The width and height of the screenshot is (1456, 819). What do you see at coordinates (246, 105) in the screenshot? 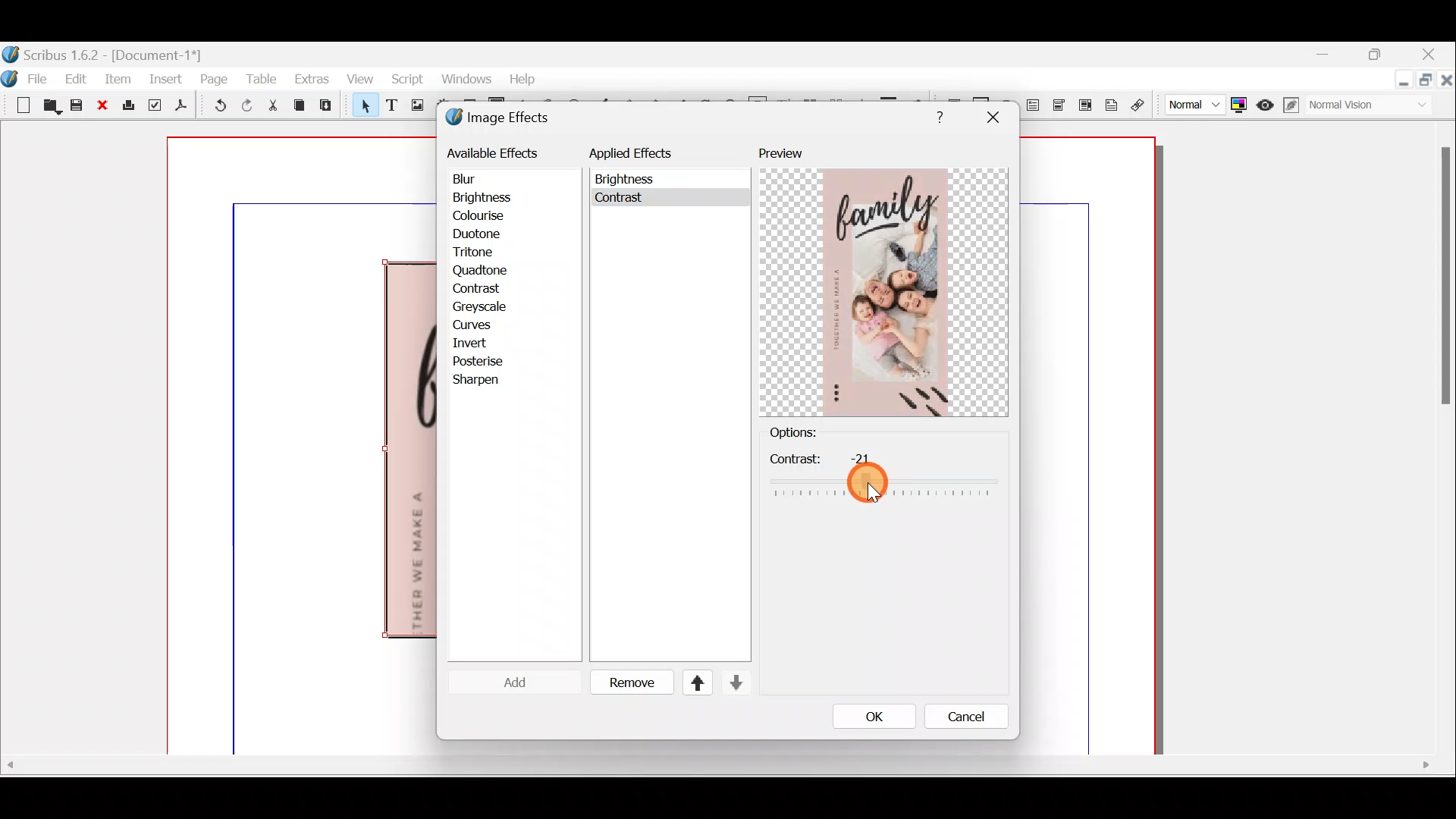
I see `Redo` at bounding box center [246, 105].